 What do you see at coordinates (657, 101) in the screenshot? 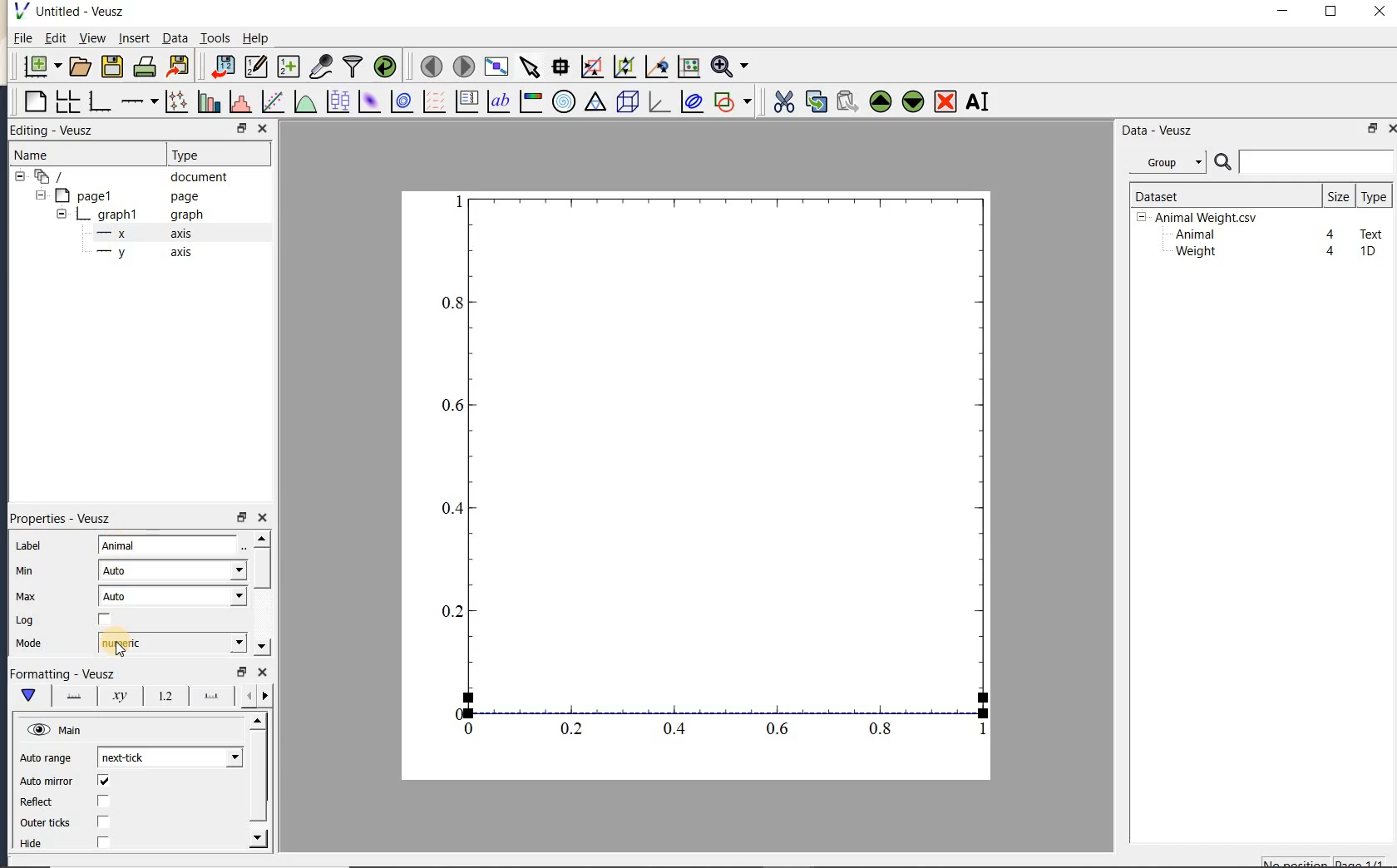
I see `3d graph` at bounding box center [657, 101].